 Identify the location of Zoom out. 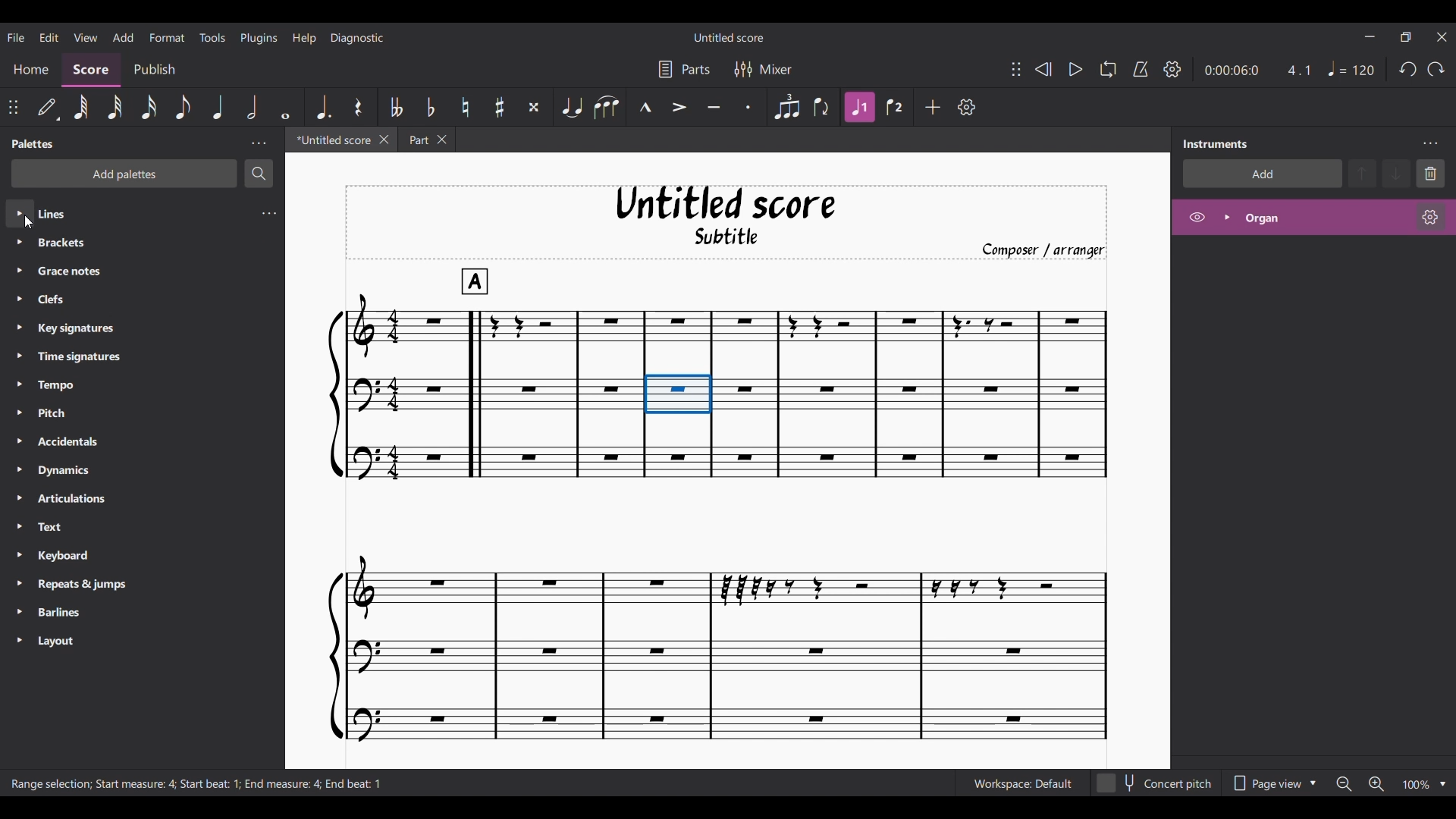
(1344, 784).